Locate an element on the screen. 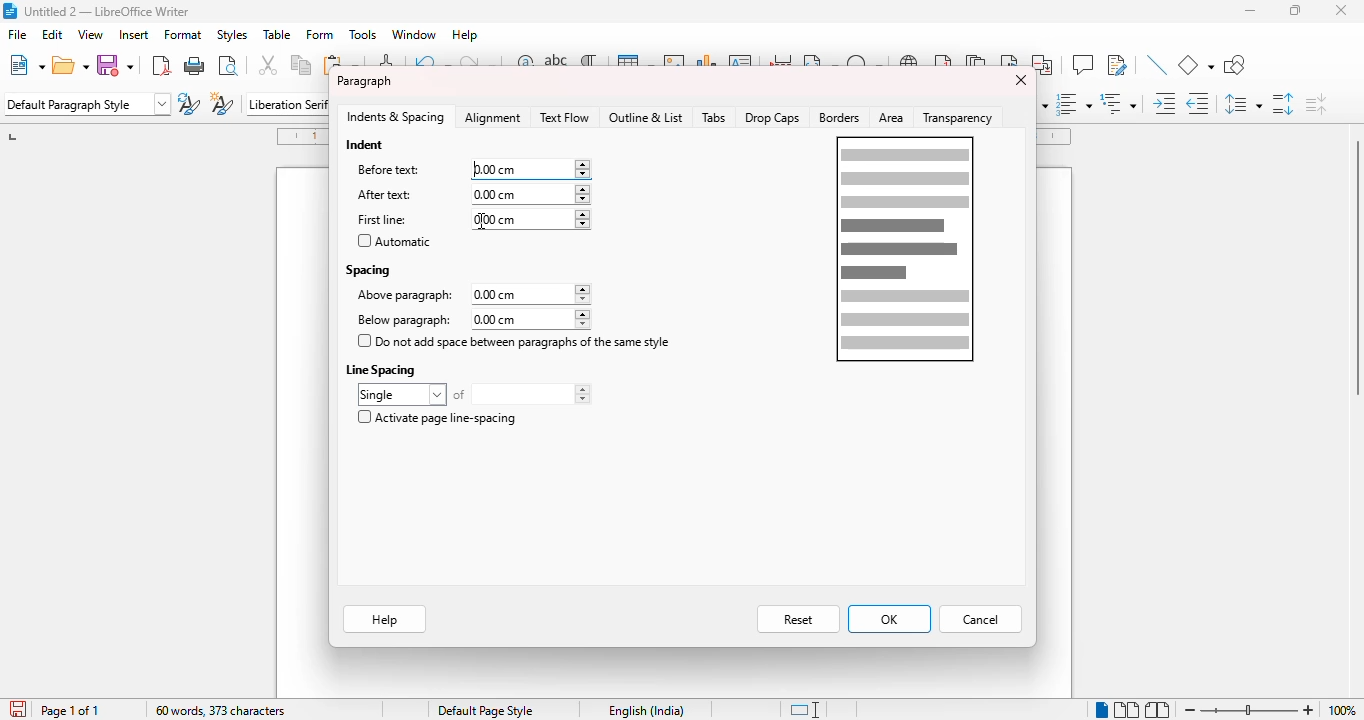 This screenshot has height=720, width=1364. insert is located at coordinates (132, 35).